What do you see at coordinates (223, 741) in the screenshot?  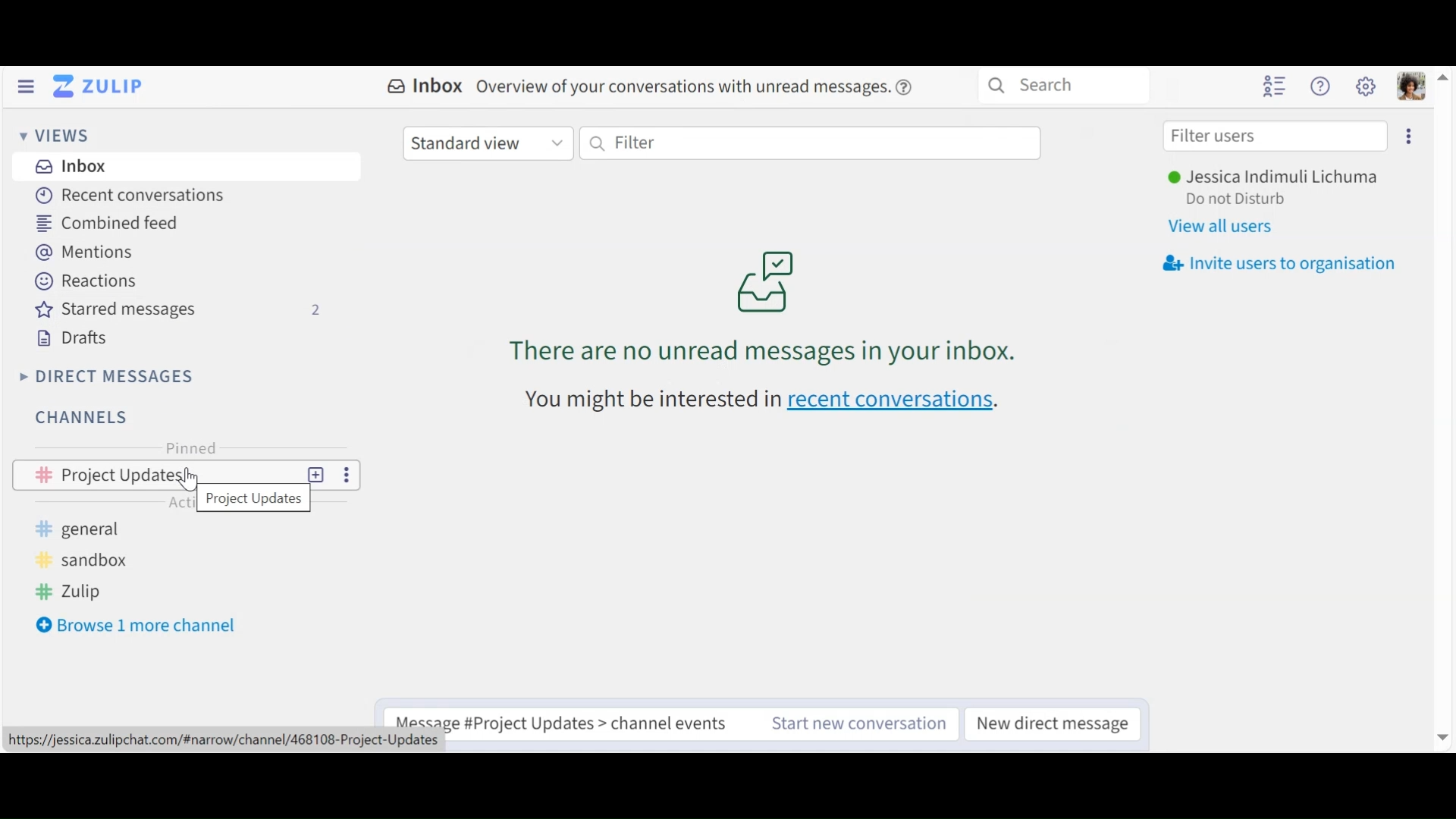 I see `` at bounding box center [223, 741].